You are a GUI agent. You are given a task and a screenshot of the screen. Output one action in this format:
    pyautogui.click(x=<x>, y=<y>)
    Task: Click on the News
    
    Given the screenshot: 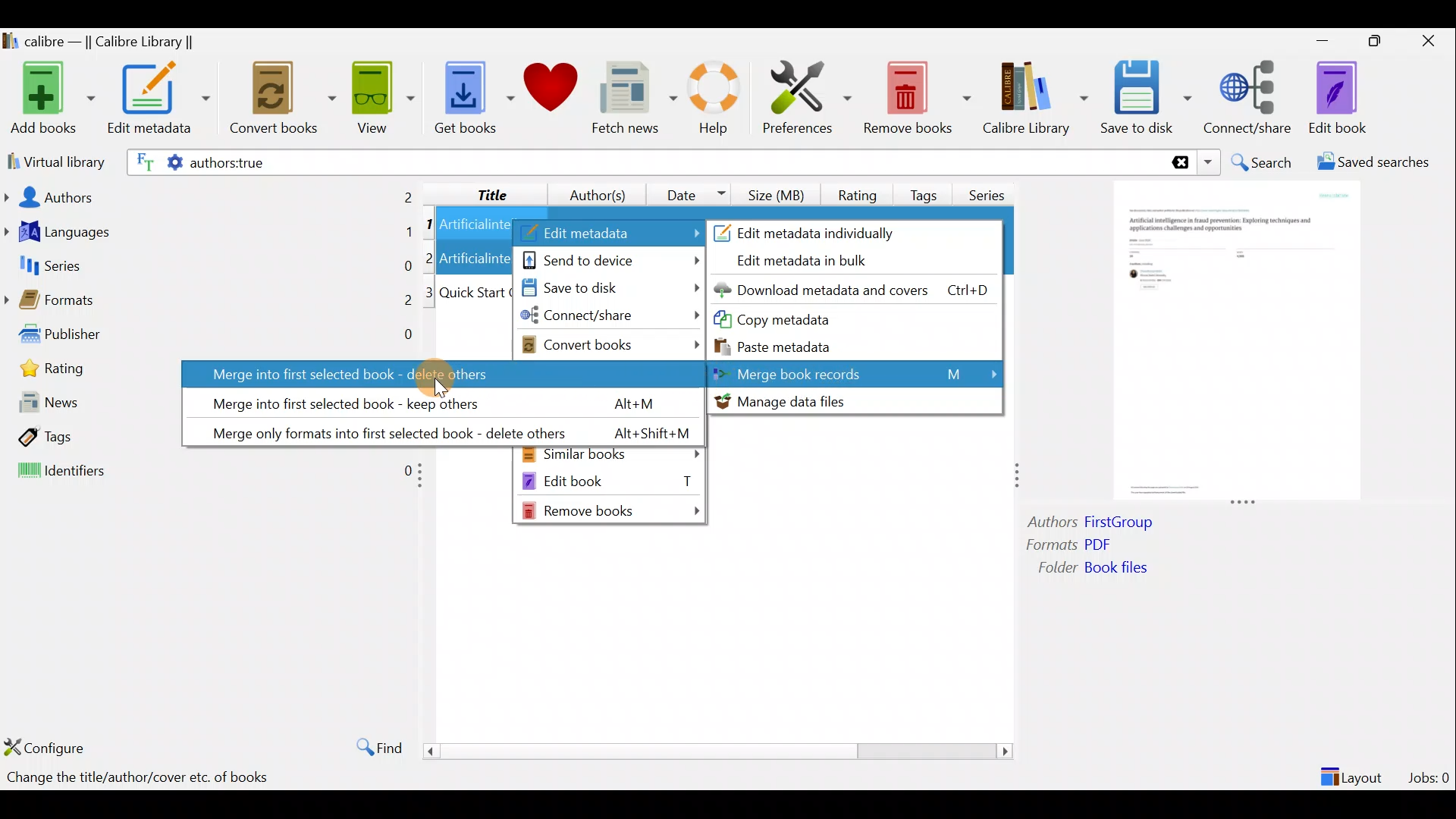 What is the action you would take?
    pyautogui.click(x=87, y=406)
    